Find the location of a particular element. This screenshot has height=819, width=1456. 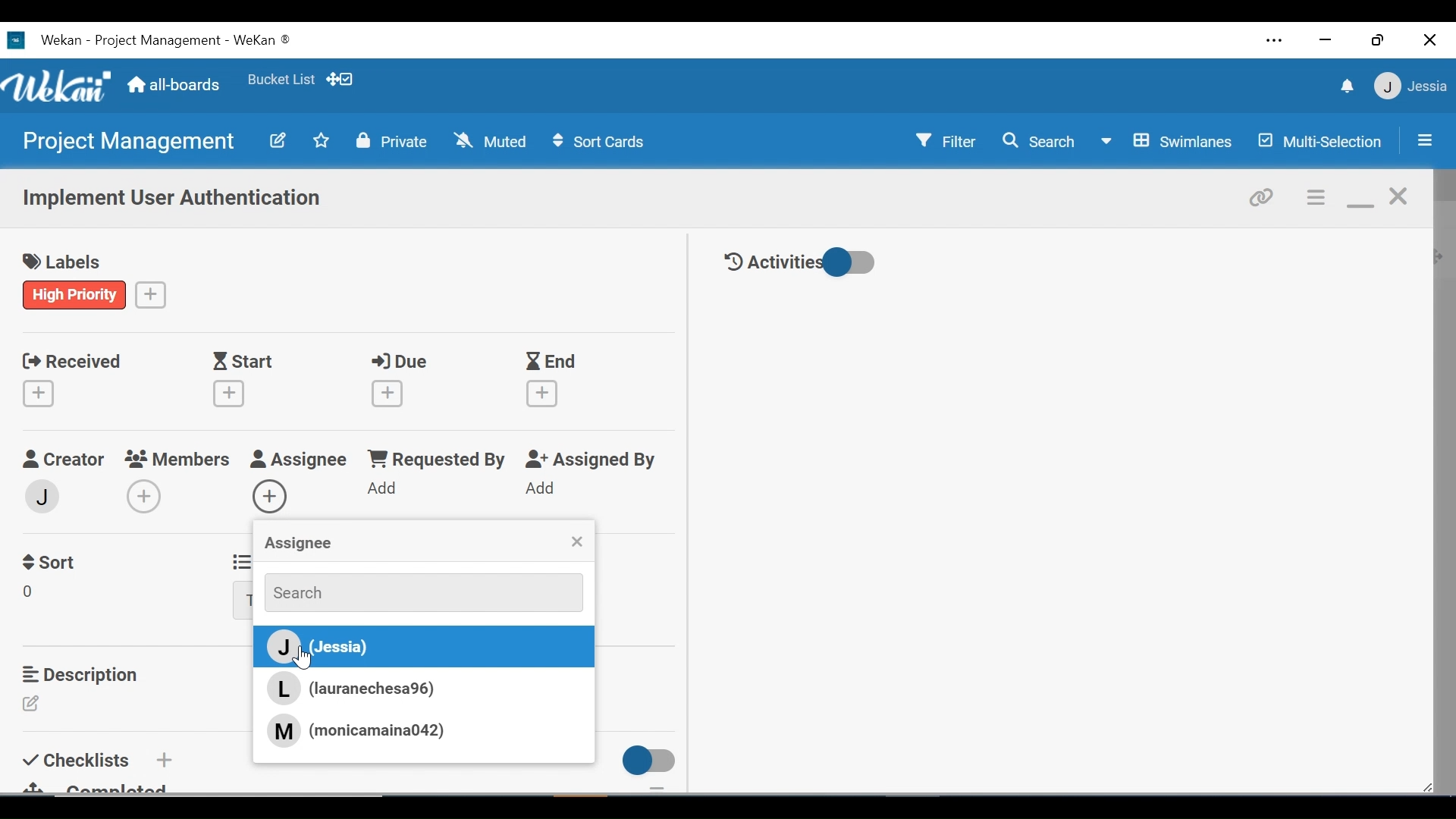

Assignee is located at coordinates (299, 460).